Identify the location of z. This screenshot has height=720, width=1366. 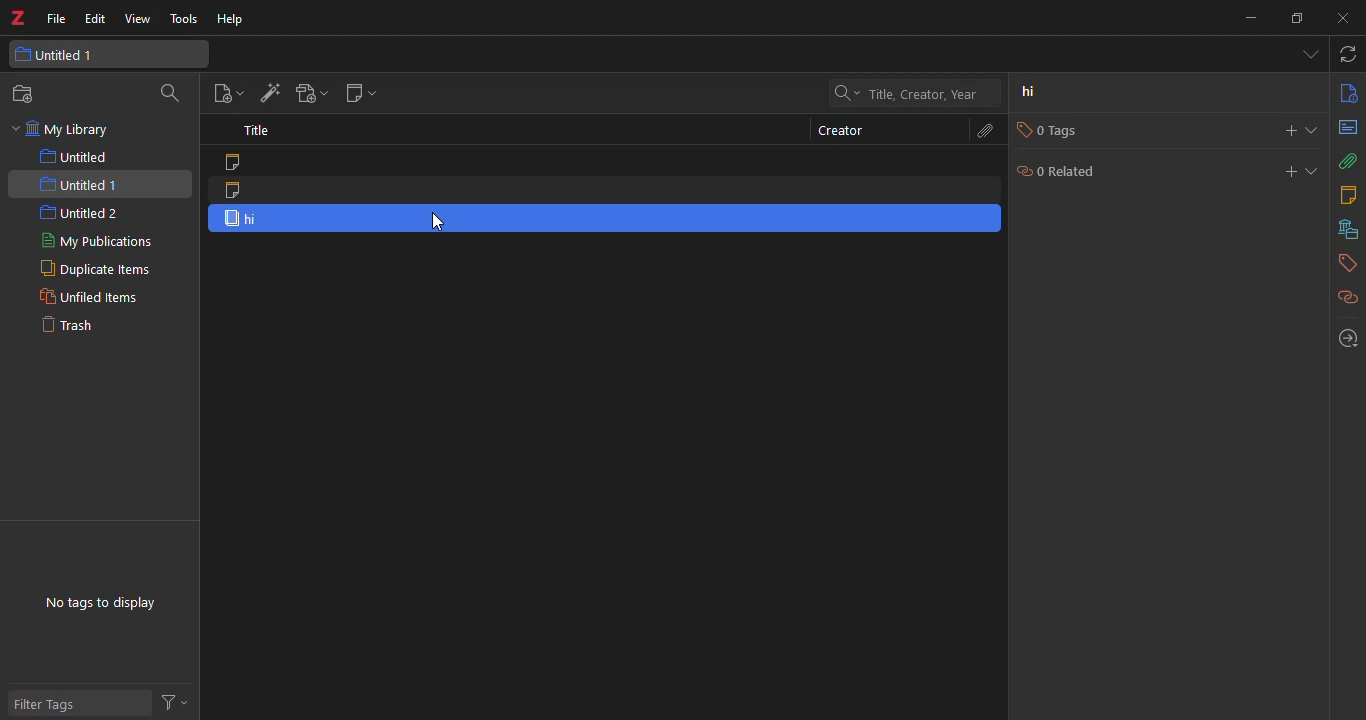
(18, 17).